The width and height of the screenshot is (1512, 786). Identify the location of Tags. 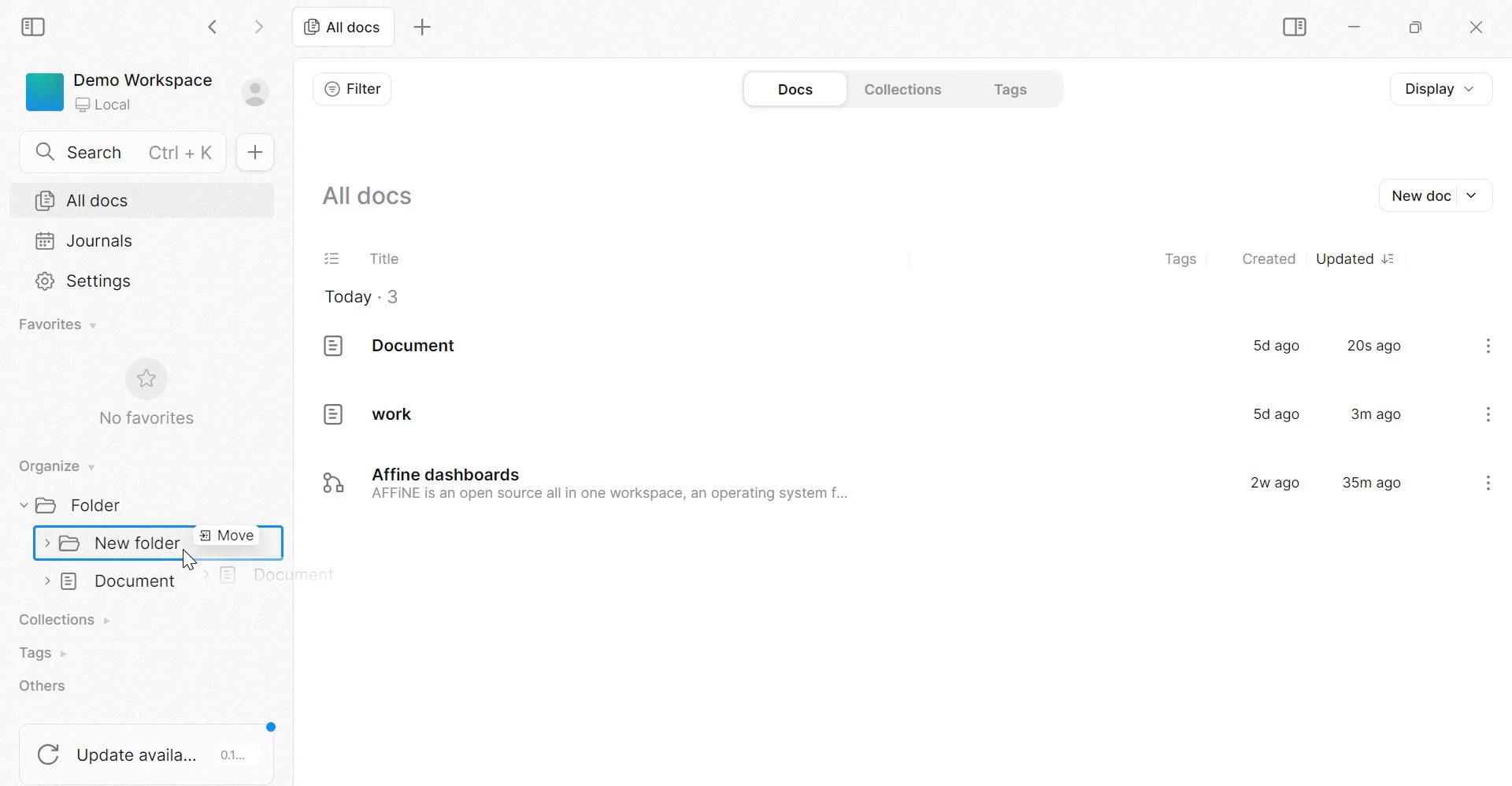
(43, 653).